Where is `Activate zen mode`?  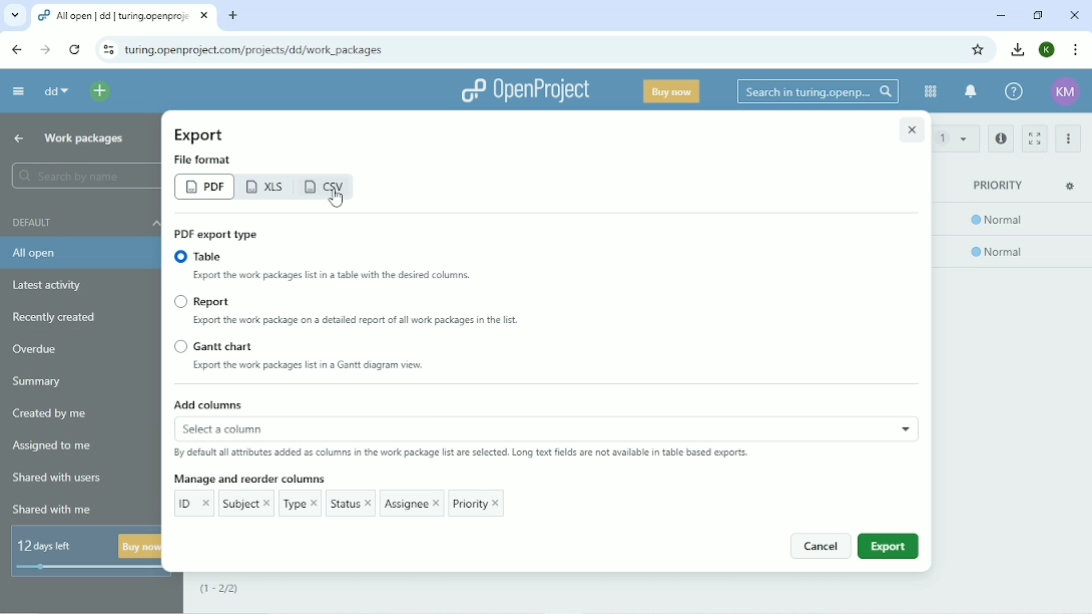
Activate zen mode is located at coordinates (1033, 138).